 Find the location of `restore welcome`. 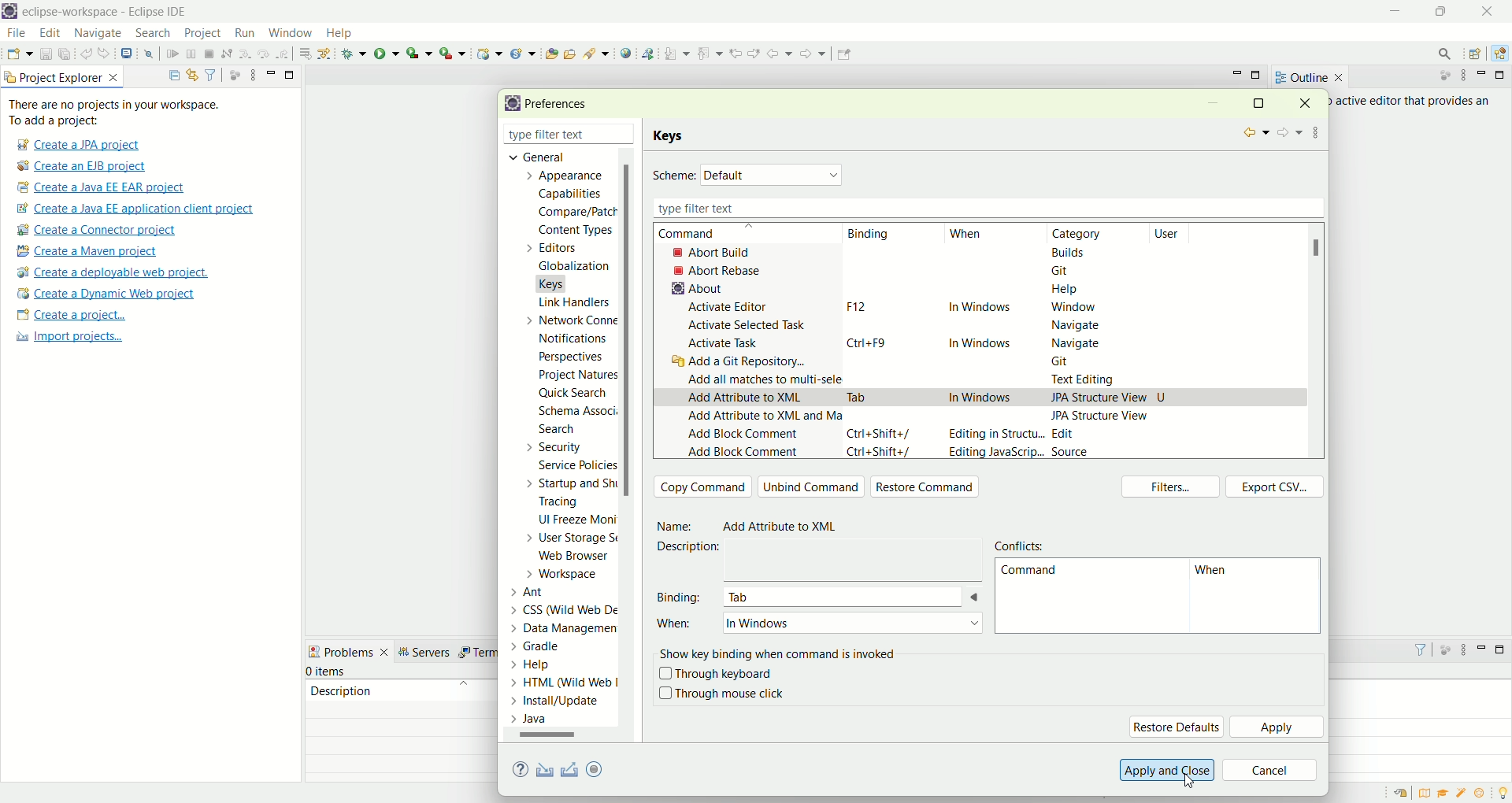

restore welcome is located at coordinates (1404, 794).